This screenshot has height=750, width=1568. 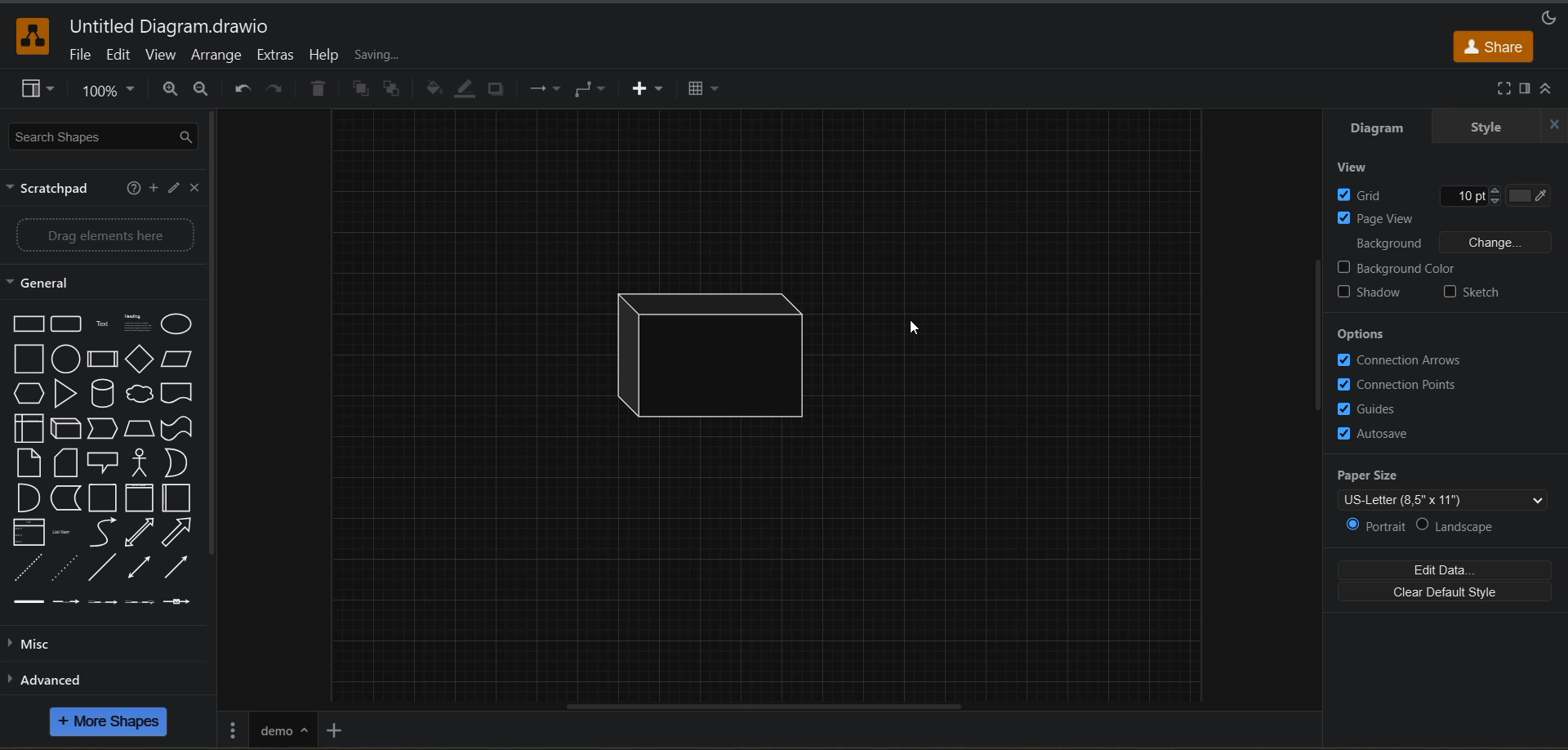 I want to click on background, so click(x=1454, y=243).